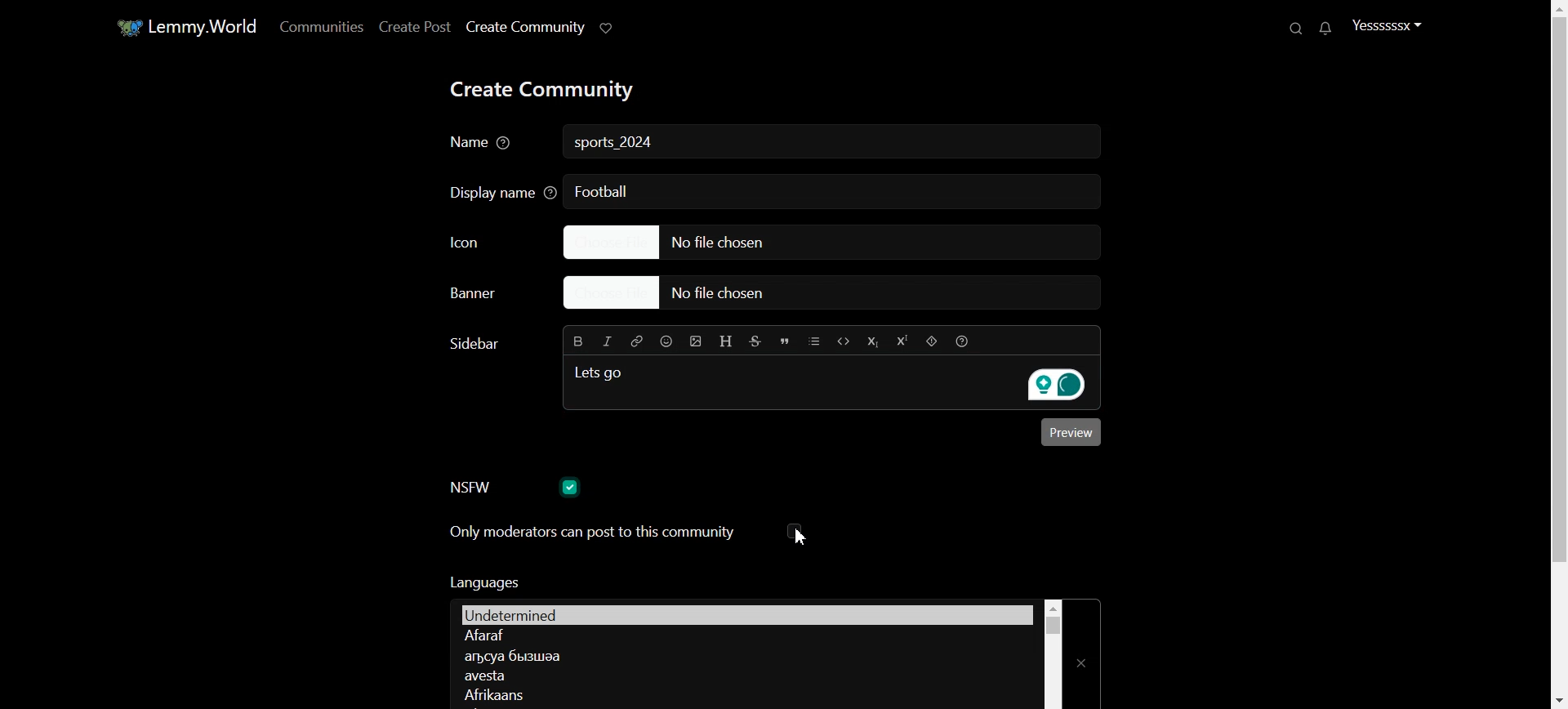 The width and height of the screenshot is (1568, 709). What do you see at coordinates (608, 27) in the screenshot?
I see `Support Lemmy` at bounding box center [608, 27].